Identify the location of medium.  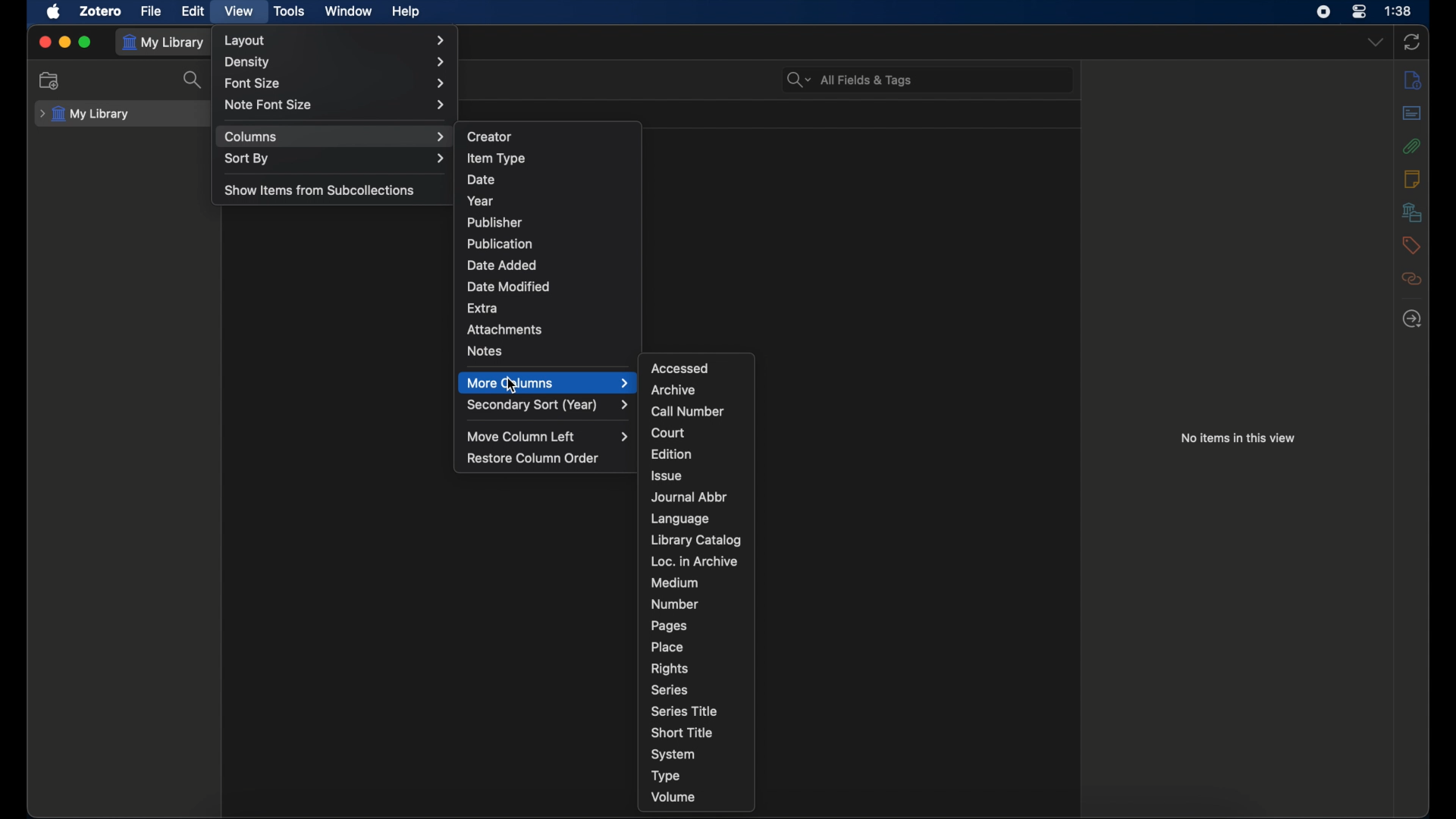
(673, 583).